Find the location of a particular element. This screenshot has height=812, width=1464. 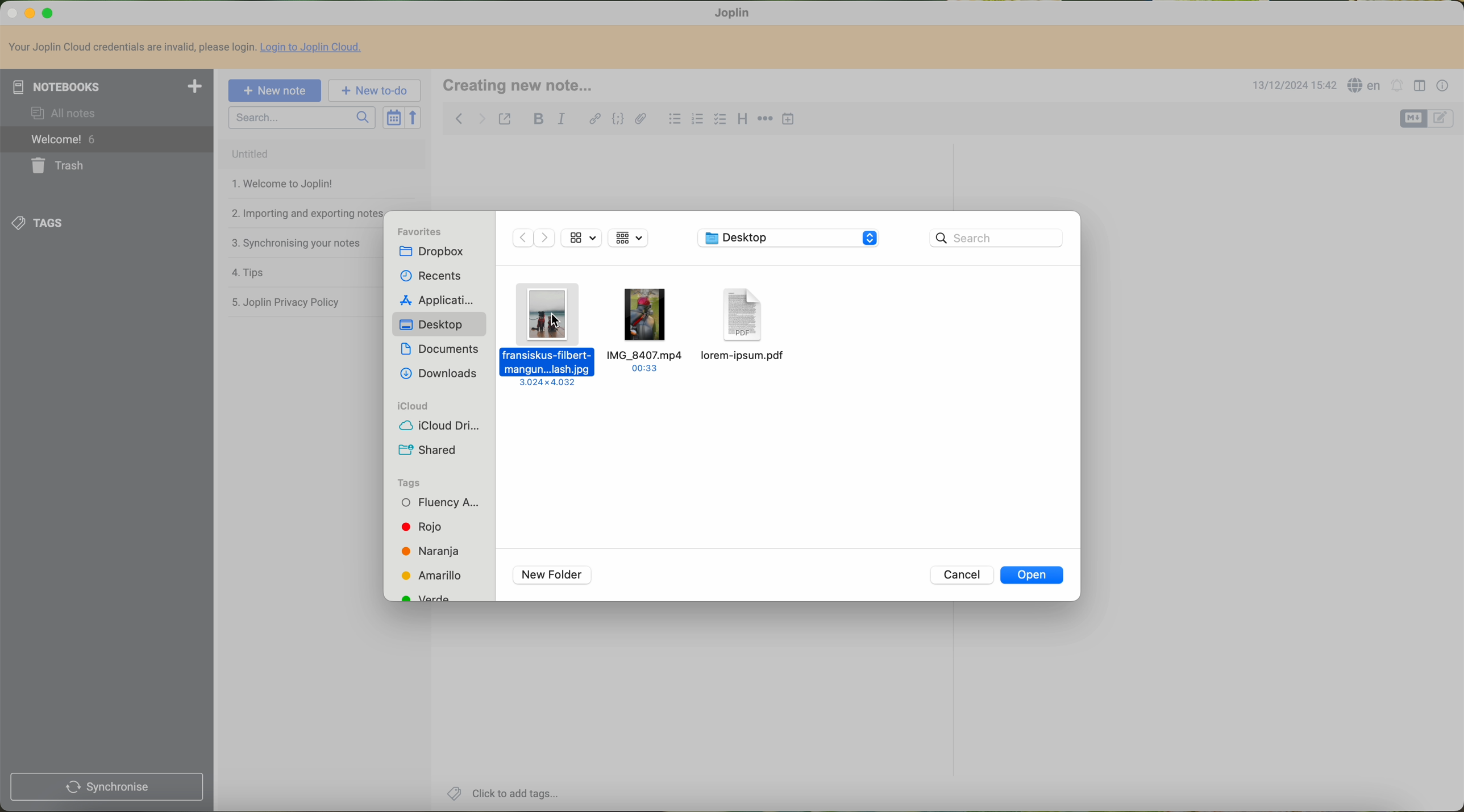

disable navigate arrows is located at coordinates (533, 239).